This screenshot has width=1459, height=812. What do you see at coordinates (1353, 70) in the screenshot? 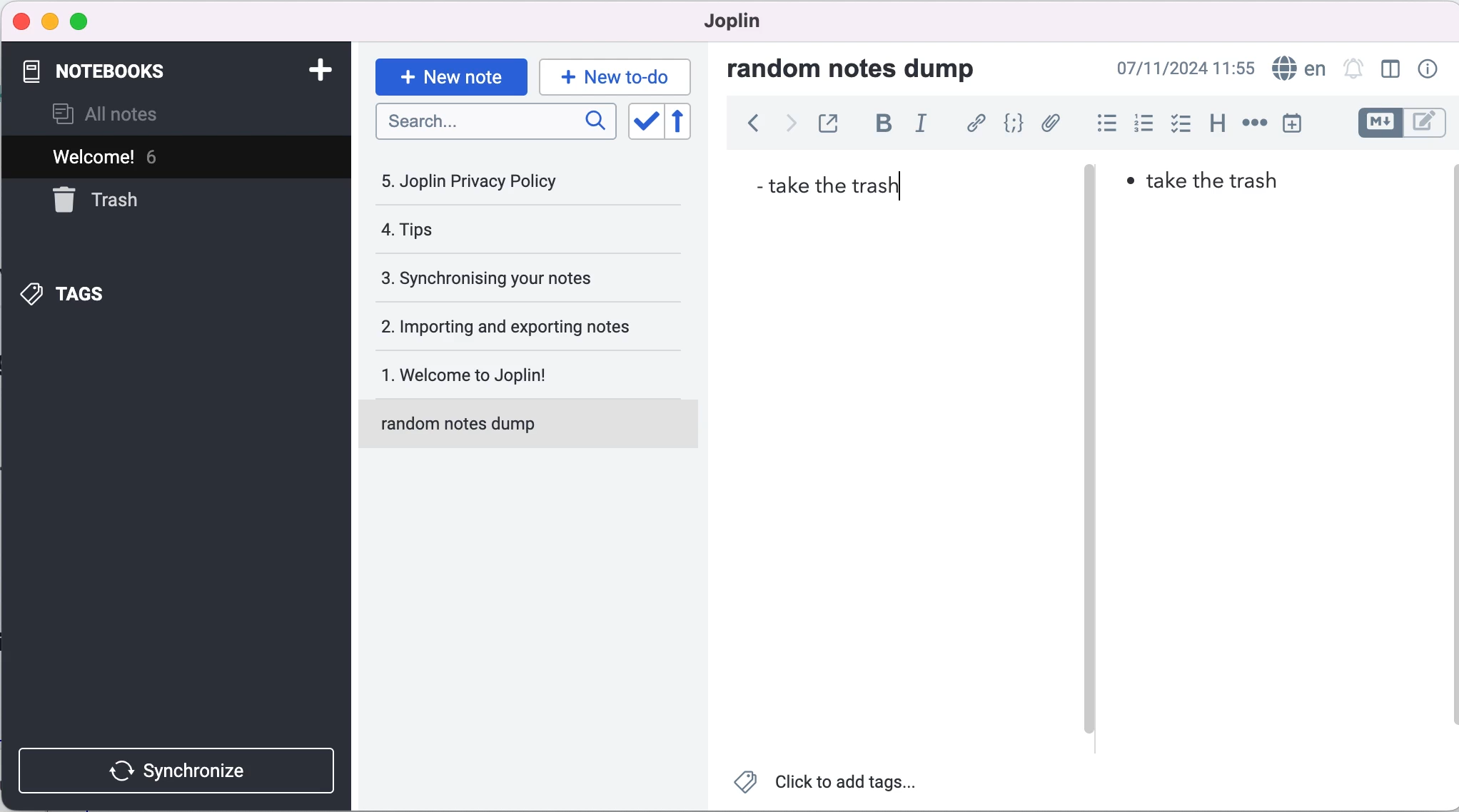
I see `set alarm` at bounding box center [1353, 70].